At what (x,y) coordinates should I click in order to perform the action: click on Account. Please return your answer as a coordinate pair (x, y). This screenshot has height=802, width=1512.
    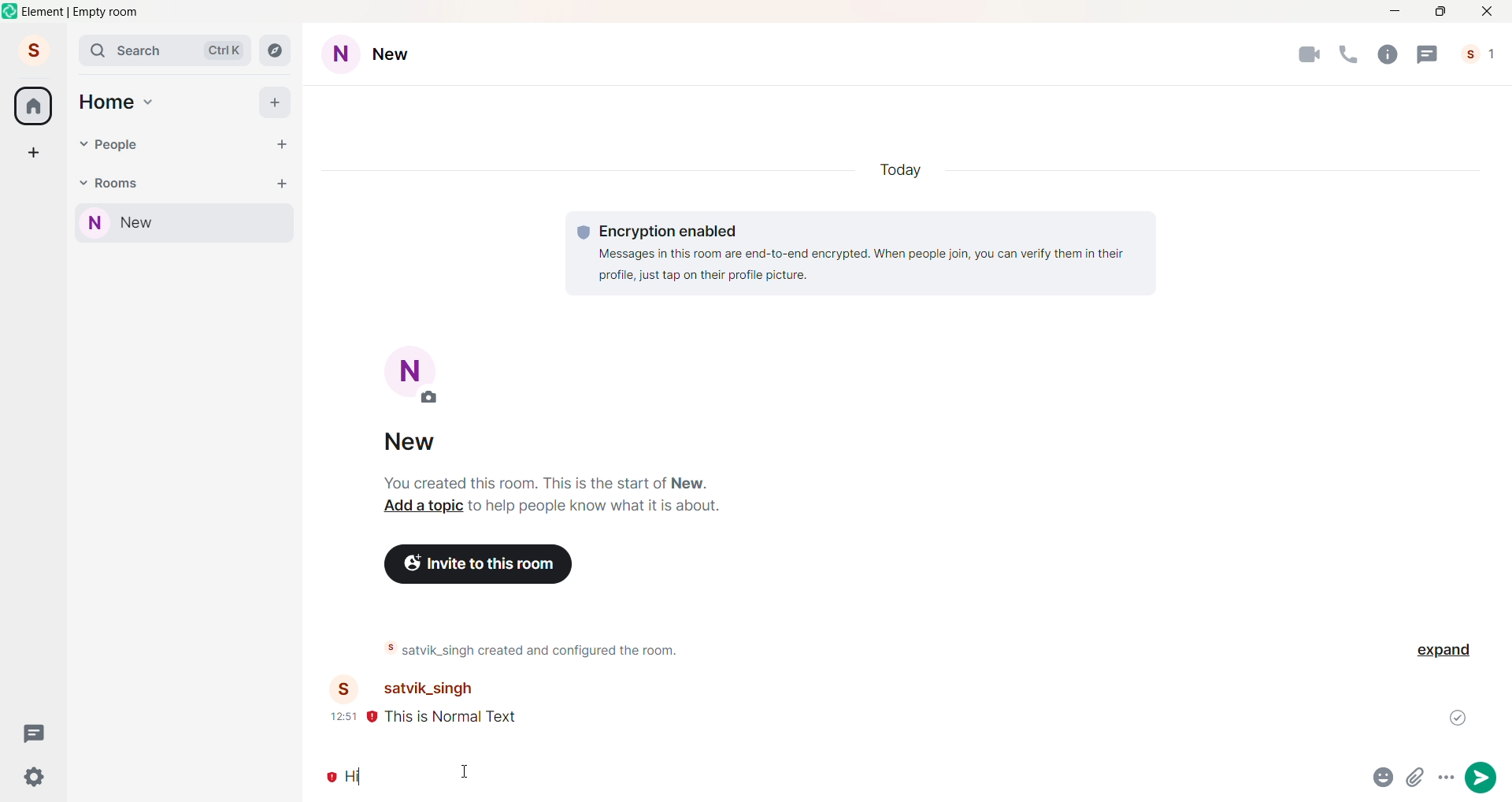
    Looking at the image, I should click on (32, 49).